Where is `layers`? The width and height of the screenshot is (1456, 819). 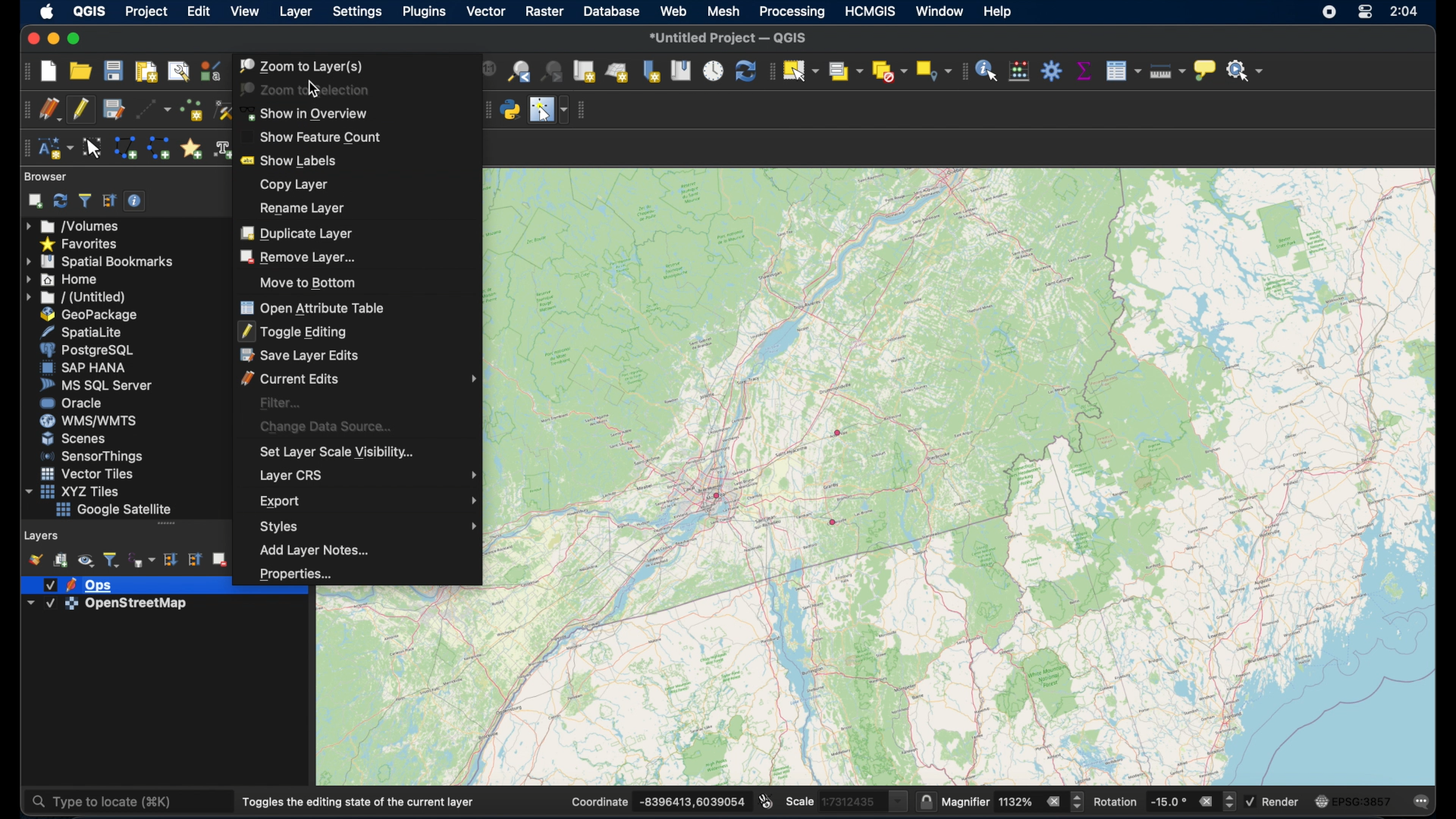
layers is located at coordinates (40, 535).